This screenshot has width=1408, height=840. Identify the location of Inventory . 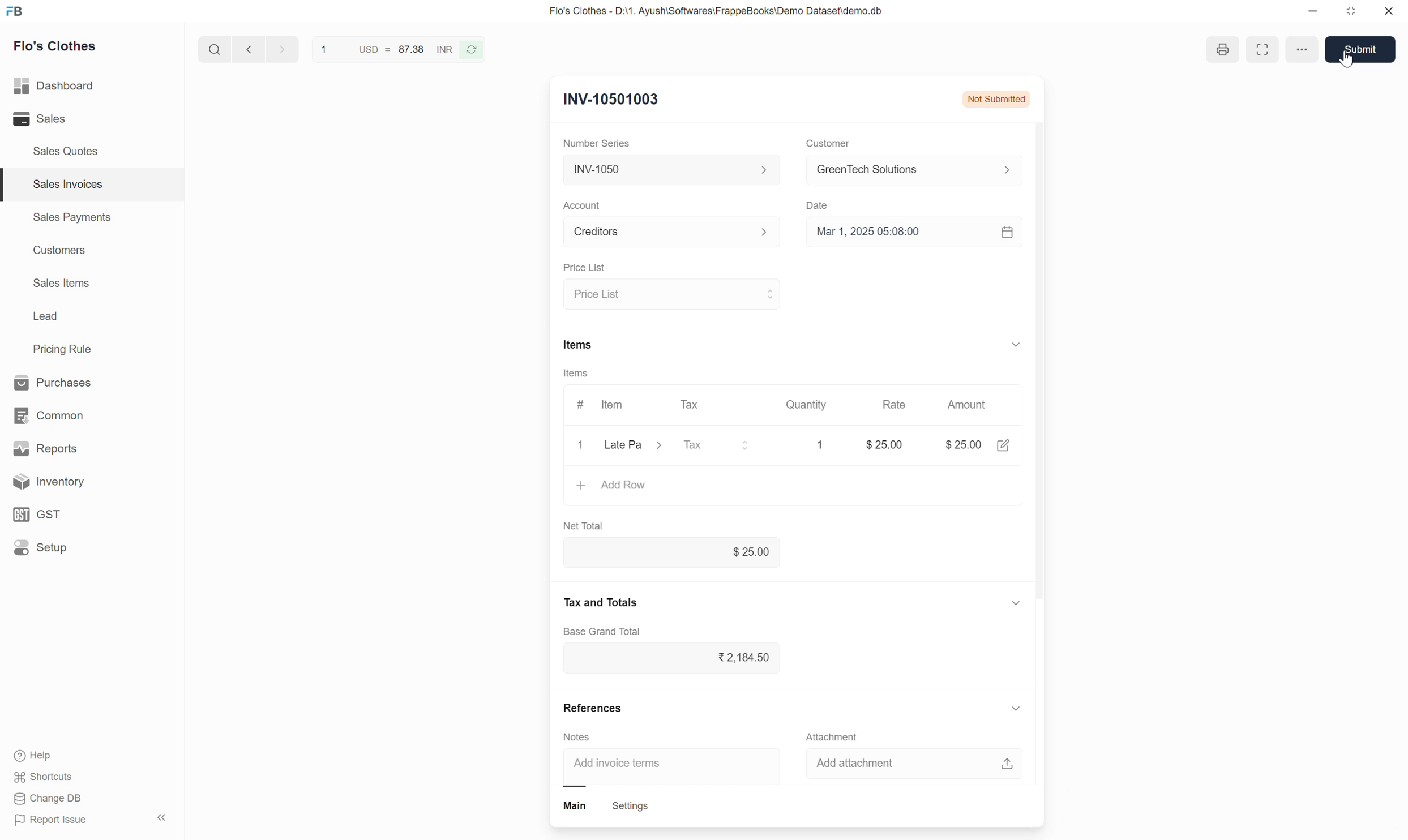
(85, 482).